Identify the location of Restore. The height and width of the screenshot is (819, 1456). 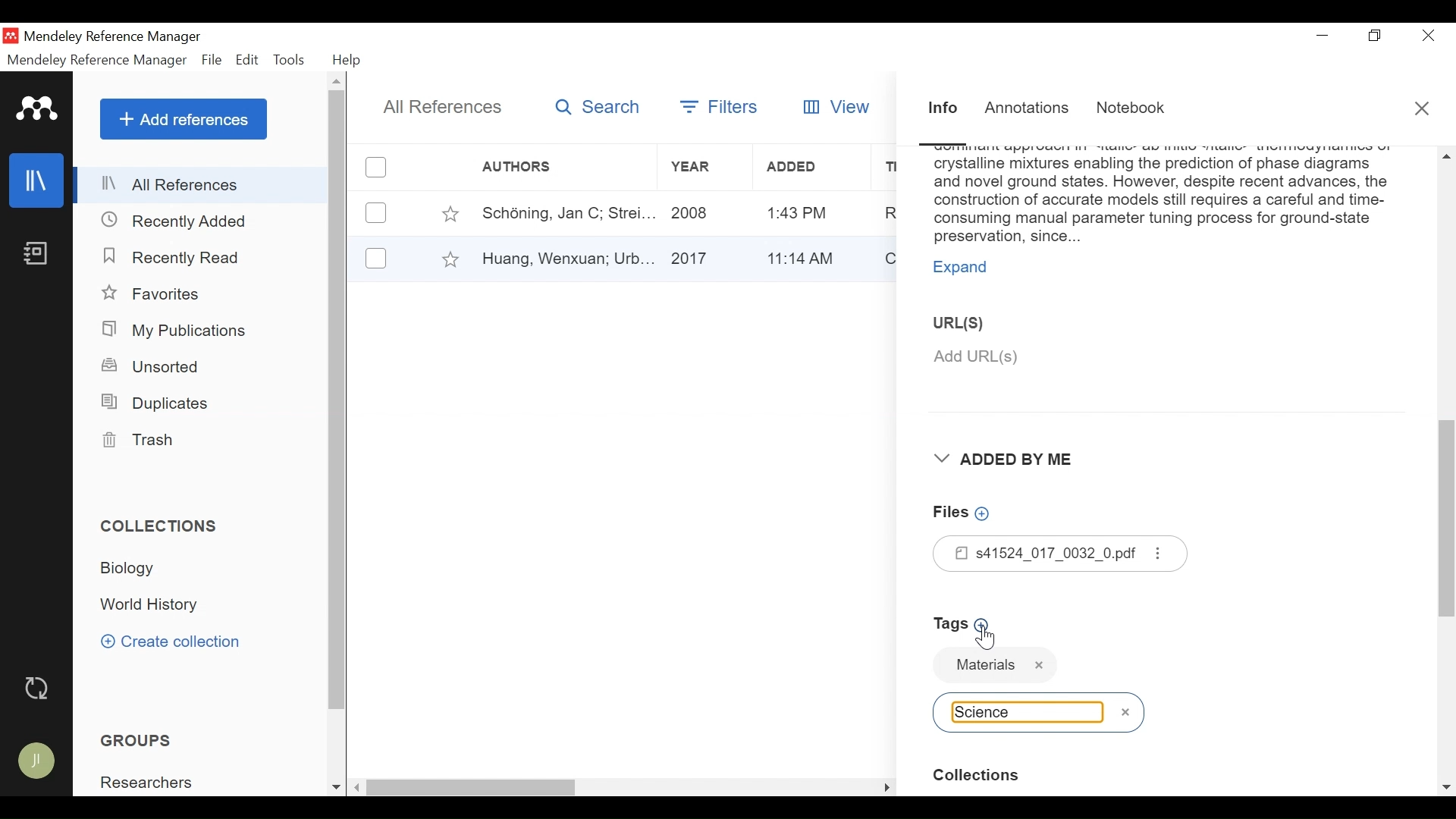
(1377, 36).